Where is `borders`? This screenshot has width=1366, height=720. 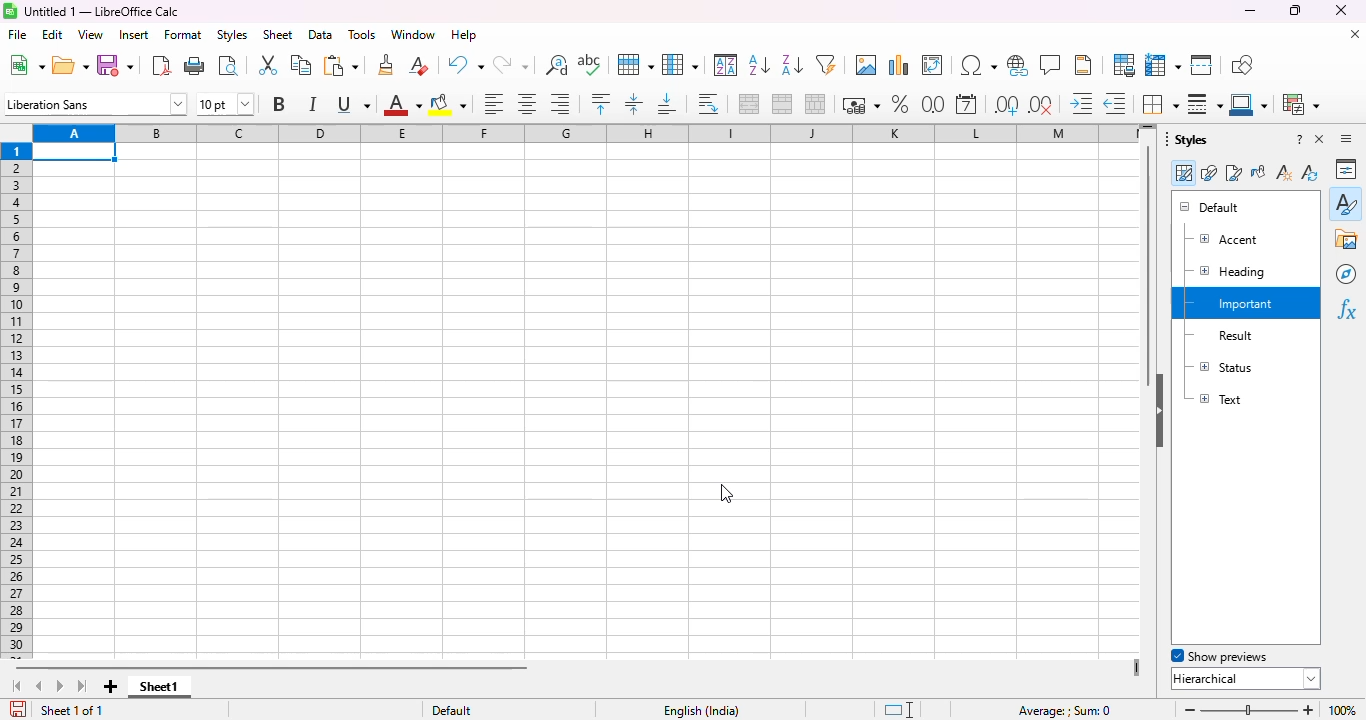 borders is located at coordinates (1159, 103).